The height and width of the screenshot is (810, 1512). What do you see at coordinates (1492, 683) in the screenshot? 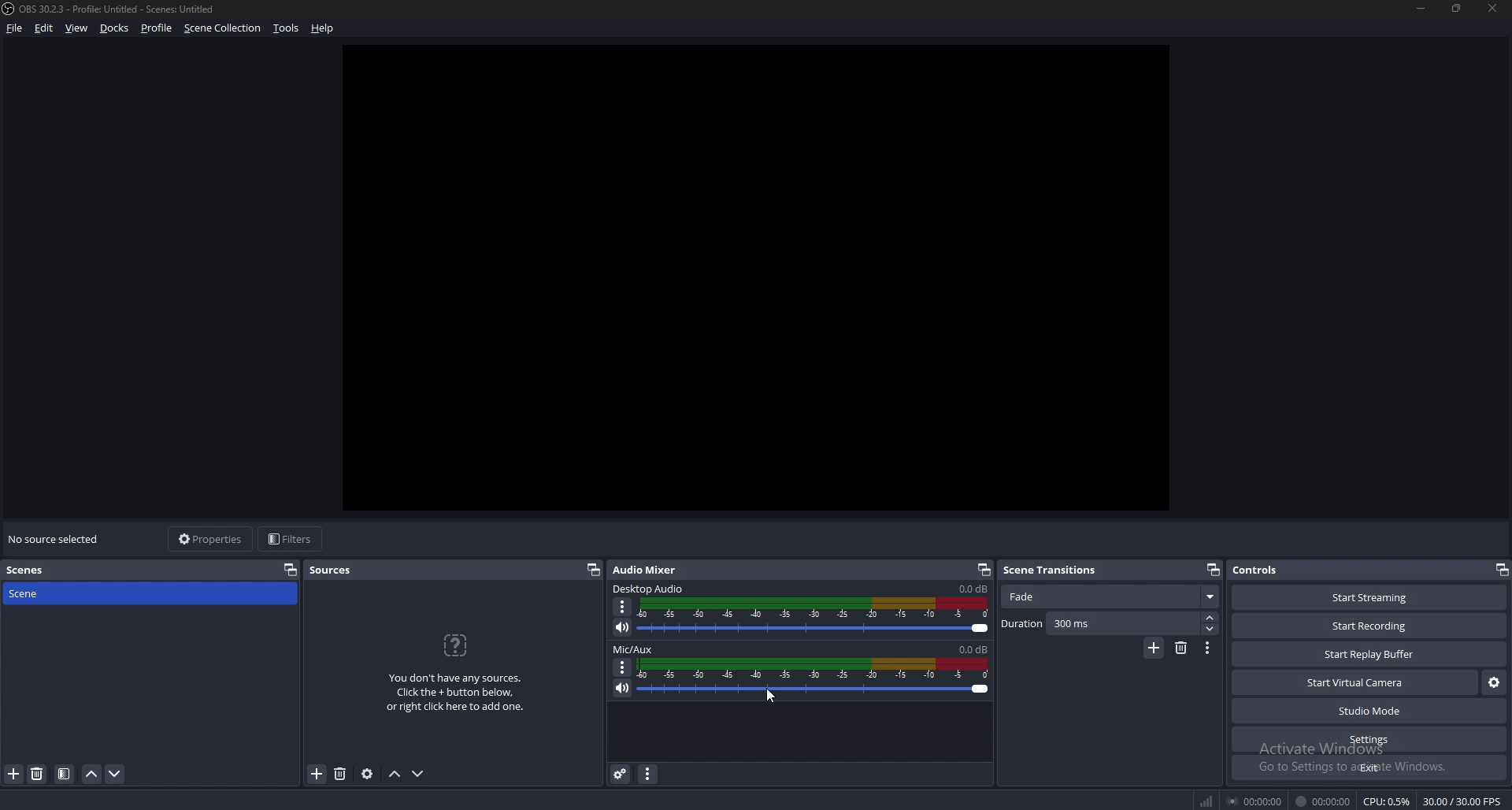
I see `configure virtual camera` at bounding box center [1492, 683].